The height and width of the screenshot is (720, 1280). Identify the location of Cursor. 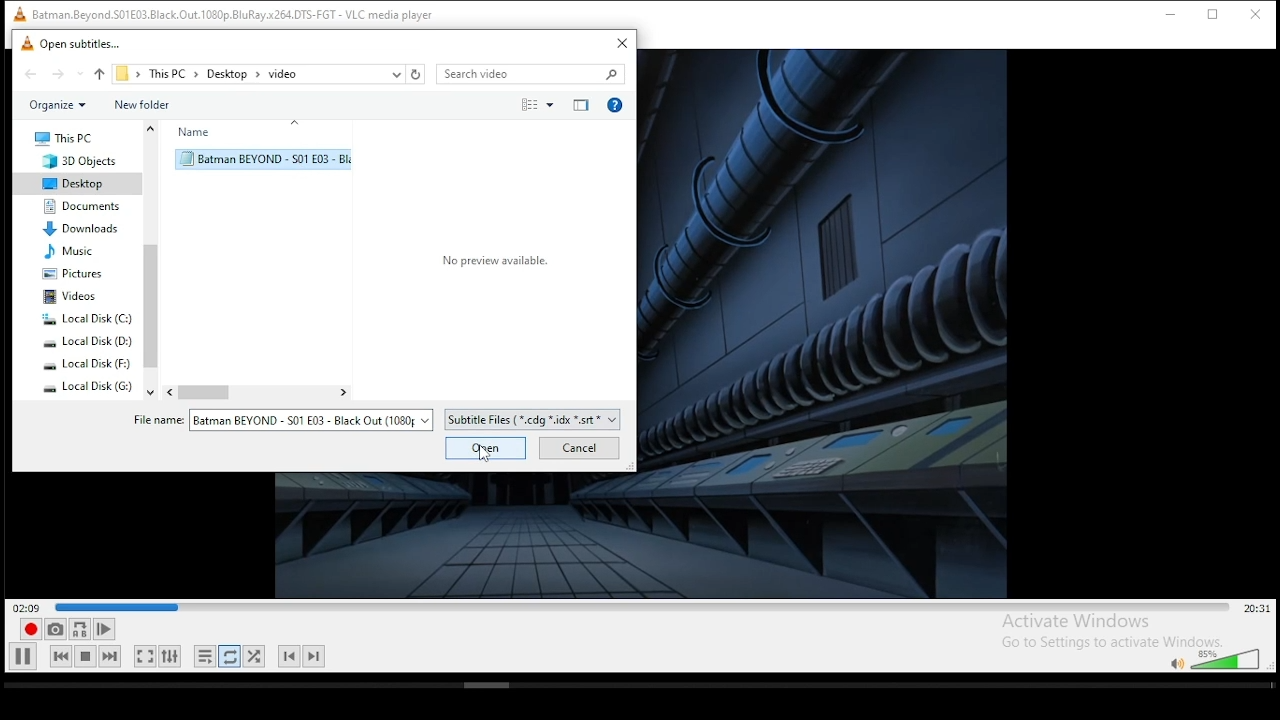
(487, 456).